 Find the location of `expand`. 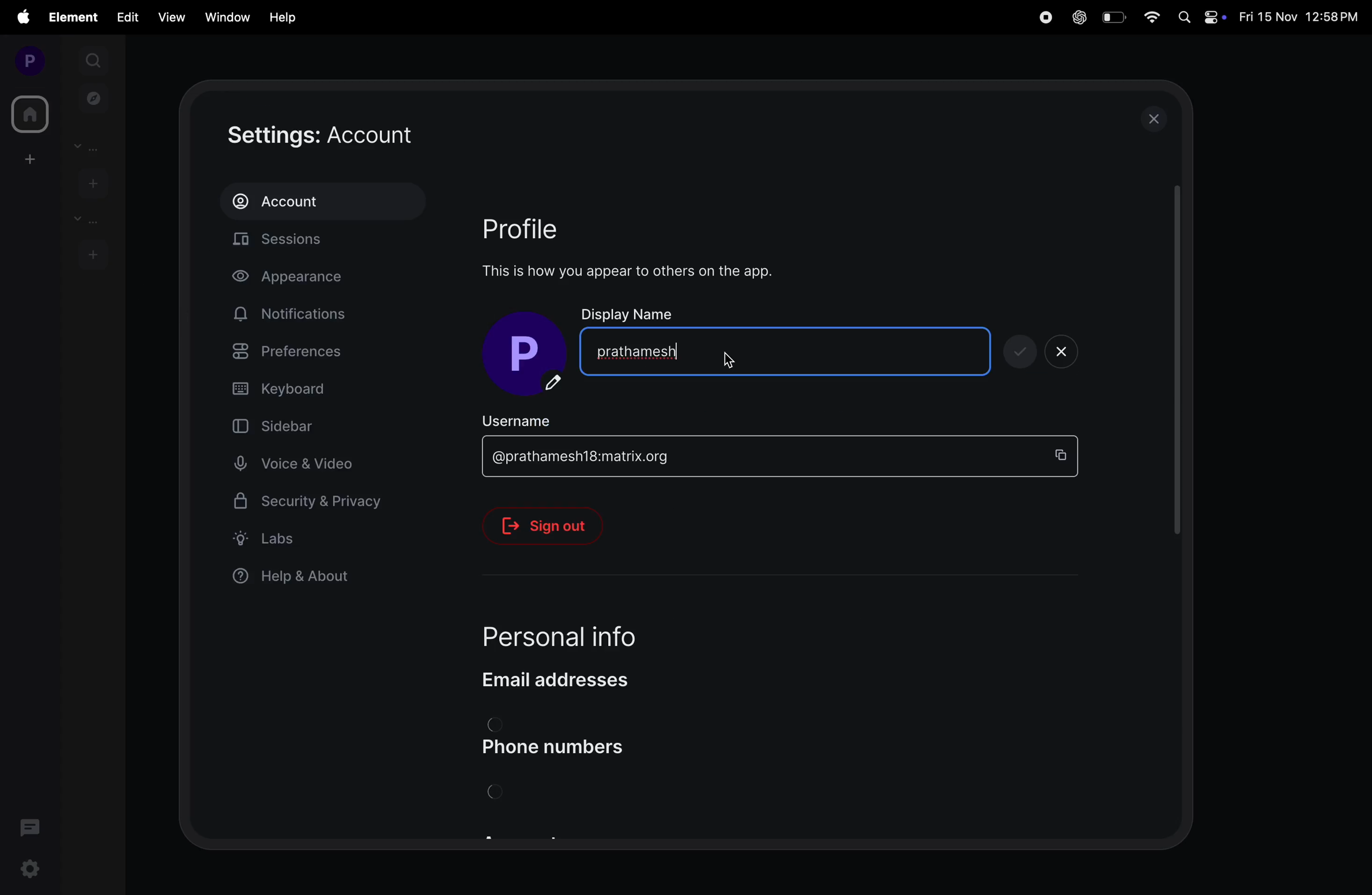

expand is located at coordinates (61, 61).